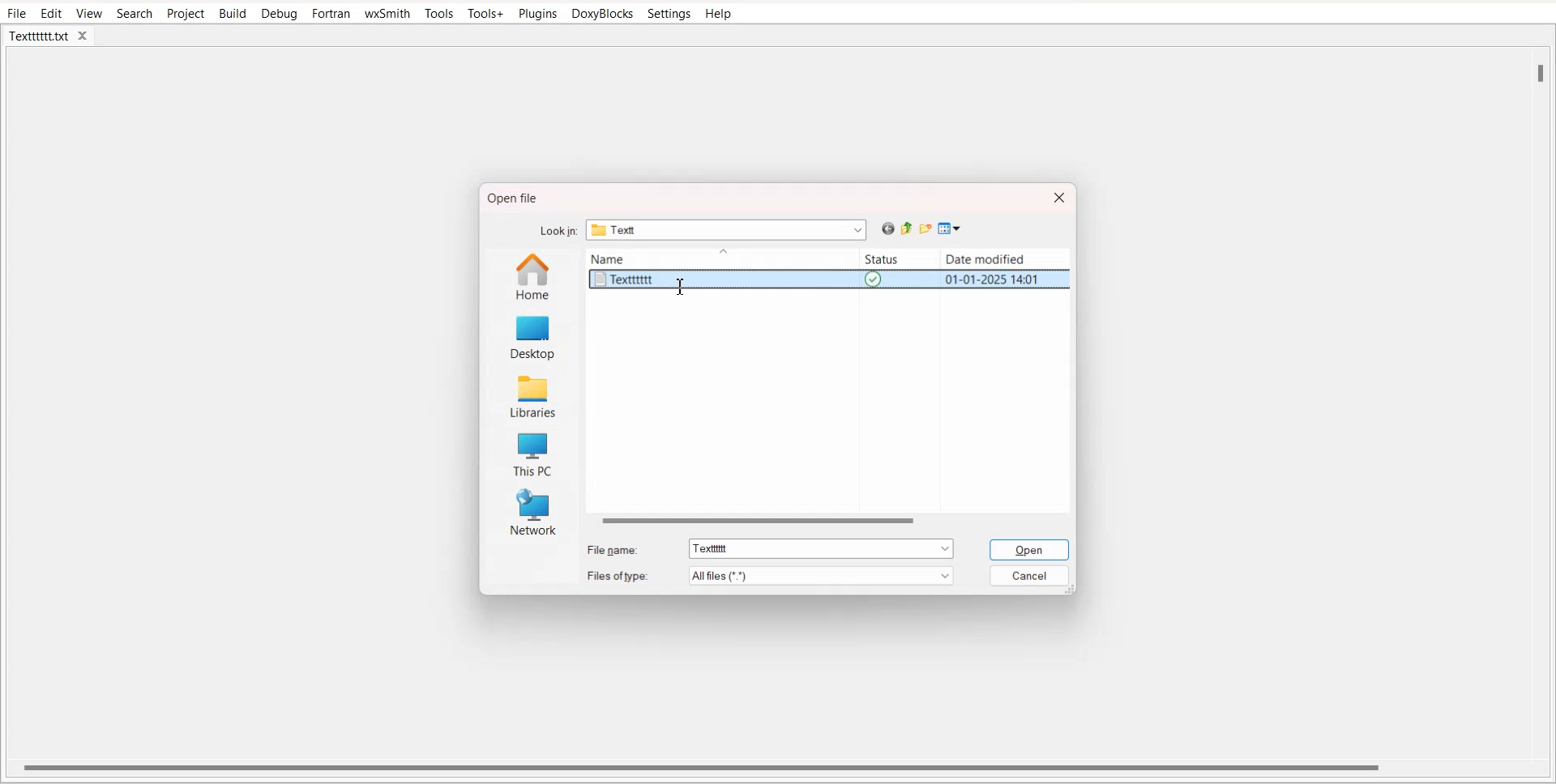  Describe the element at coordinates (90, 13) in the screenshot. I see `View` at that location.